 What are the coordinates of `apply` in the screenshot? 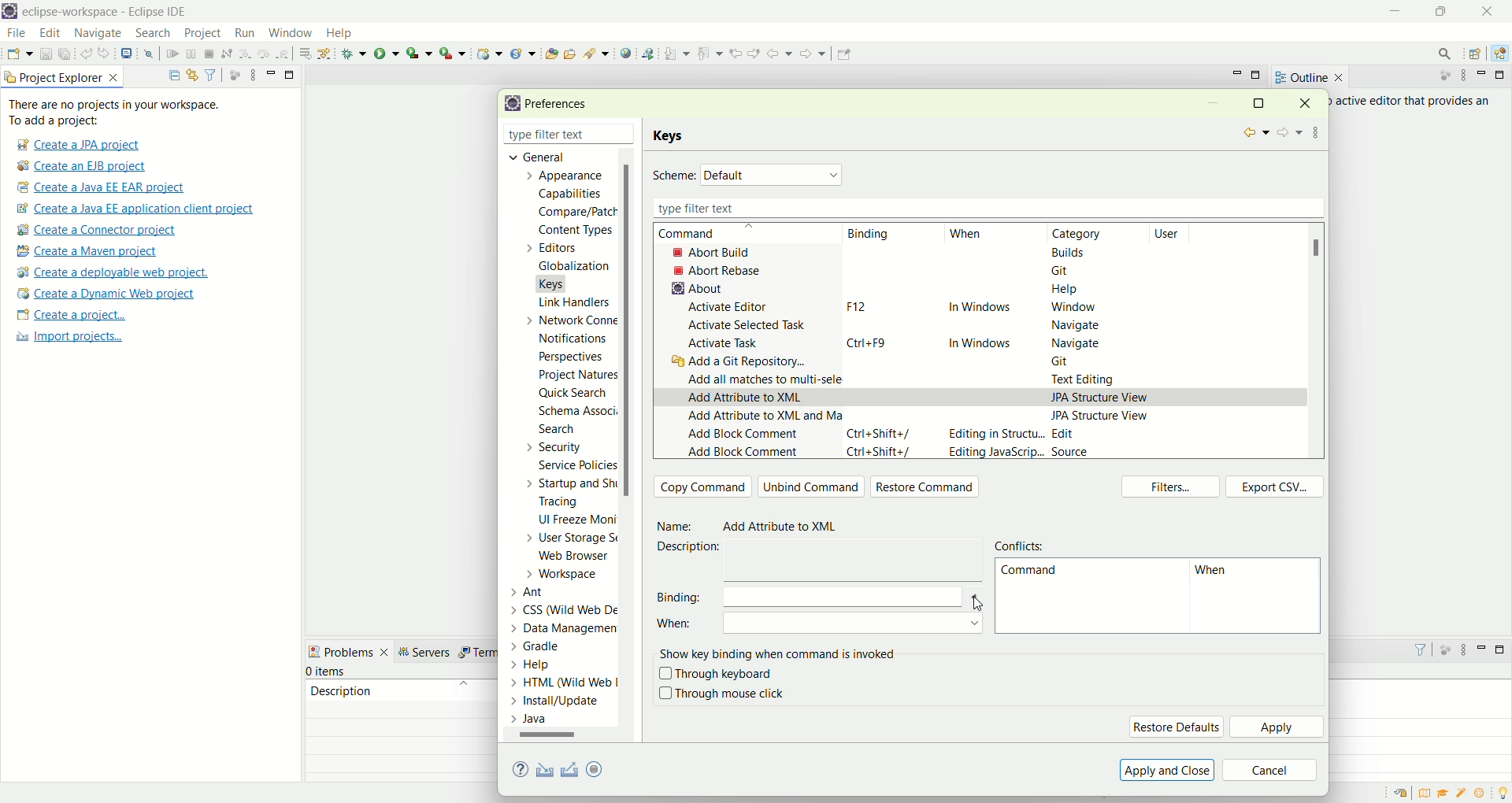 It's located at (1278, 728).